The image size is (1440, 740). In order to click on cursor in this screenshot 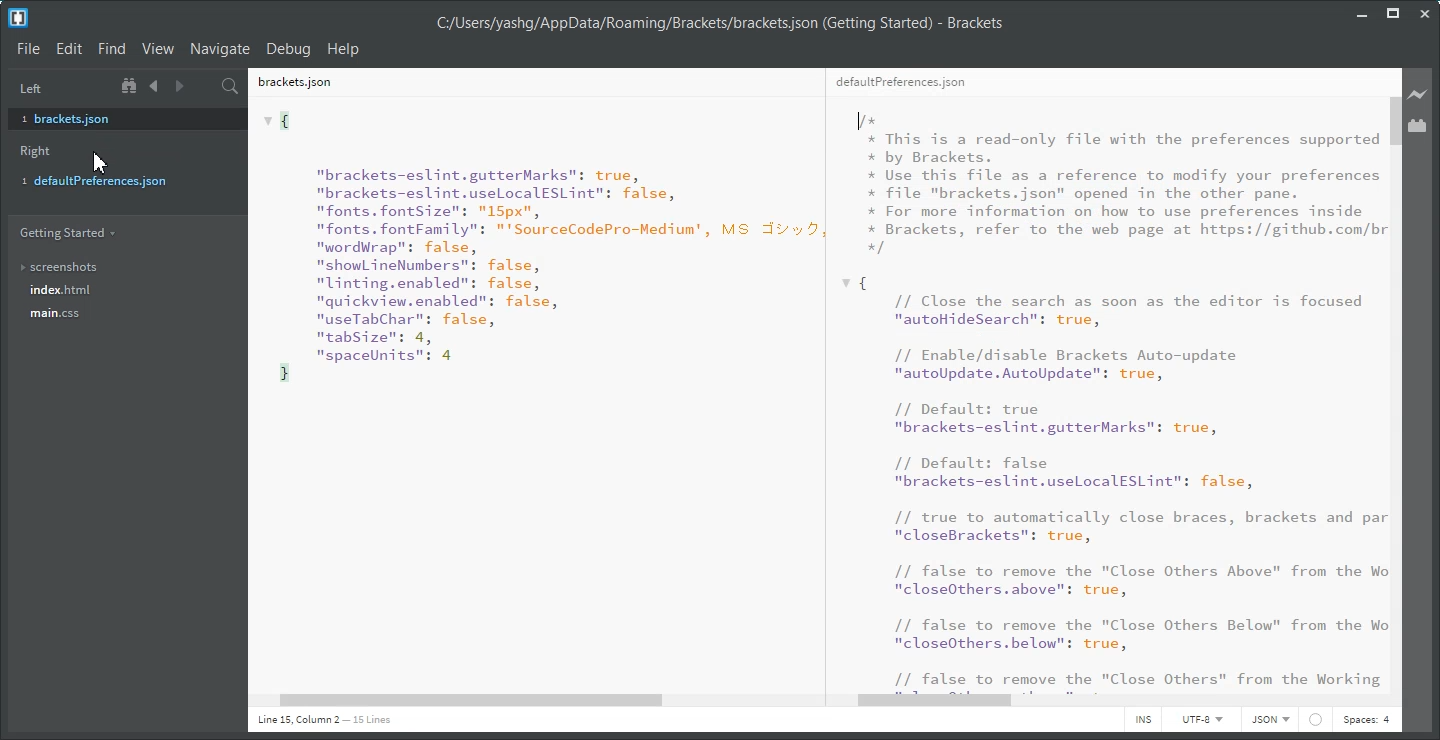, I will do `click(104, 162)`.